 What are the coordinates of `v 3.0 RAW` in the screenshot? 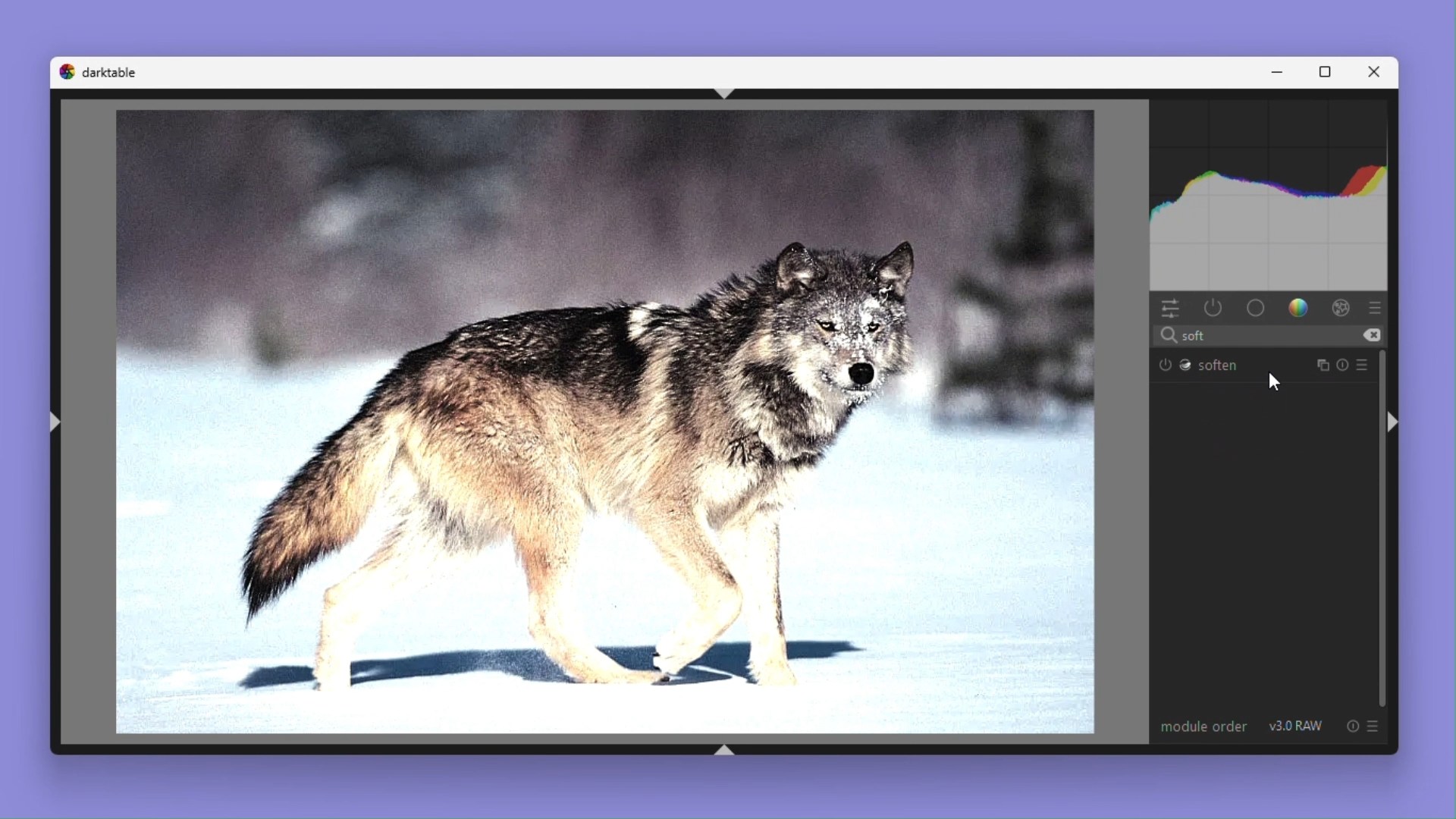 It's located at (1298, 726).